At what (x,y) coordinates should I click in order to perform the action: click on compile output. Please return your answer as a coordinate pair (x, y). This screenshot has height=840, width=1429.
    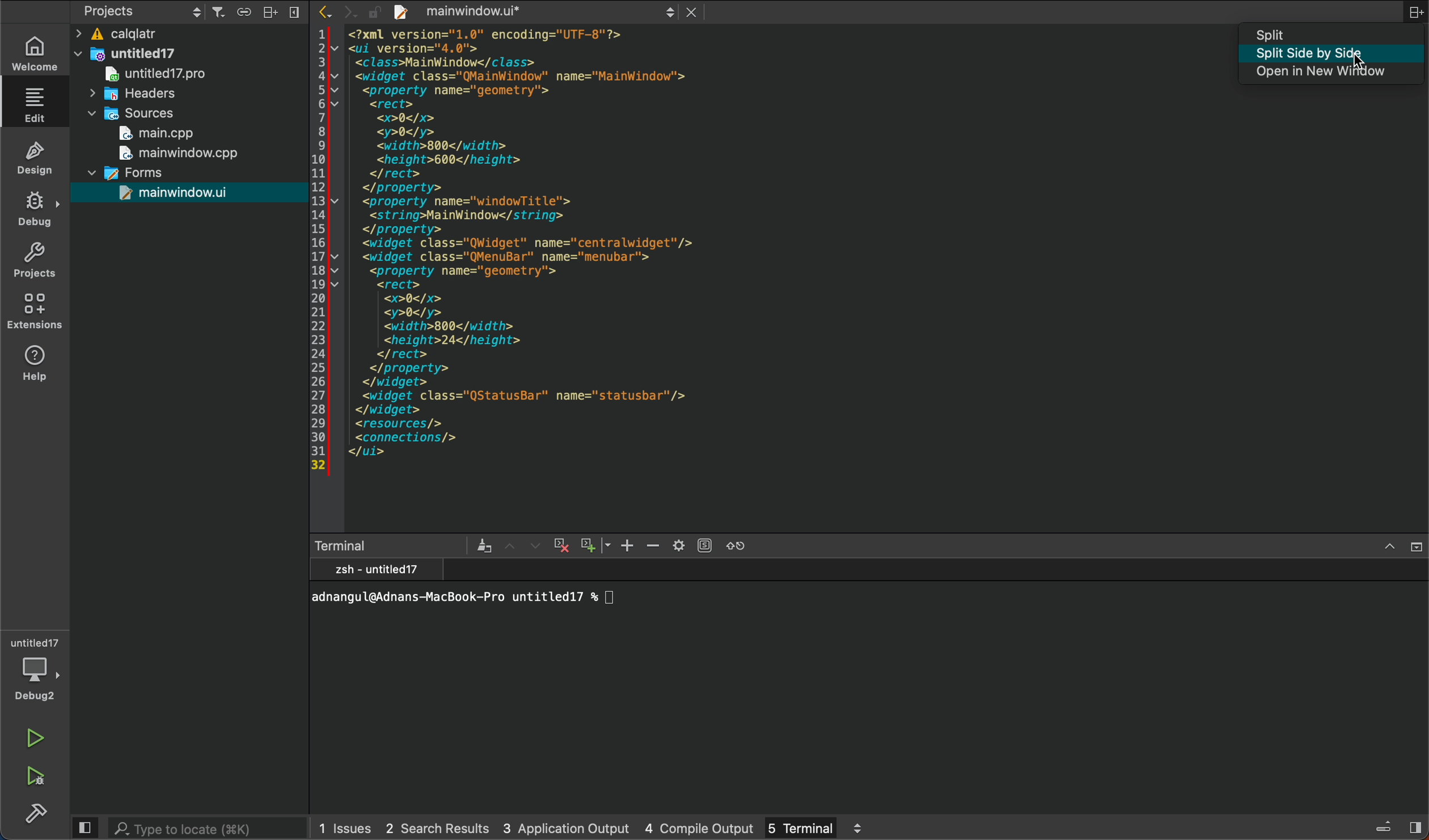
    Looking at the image, I should click on (701, 826).